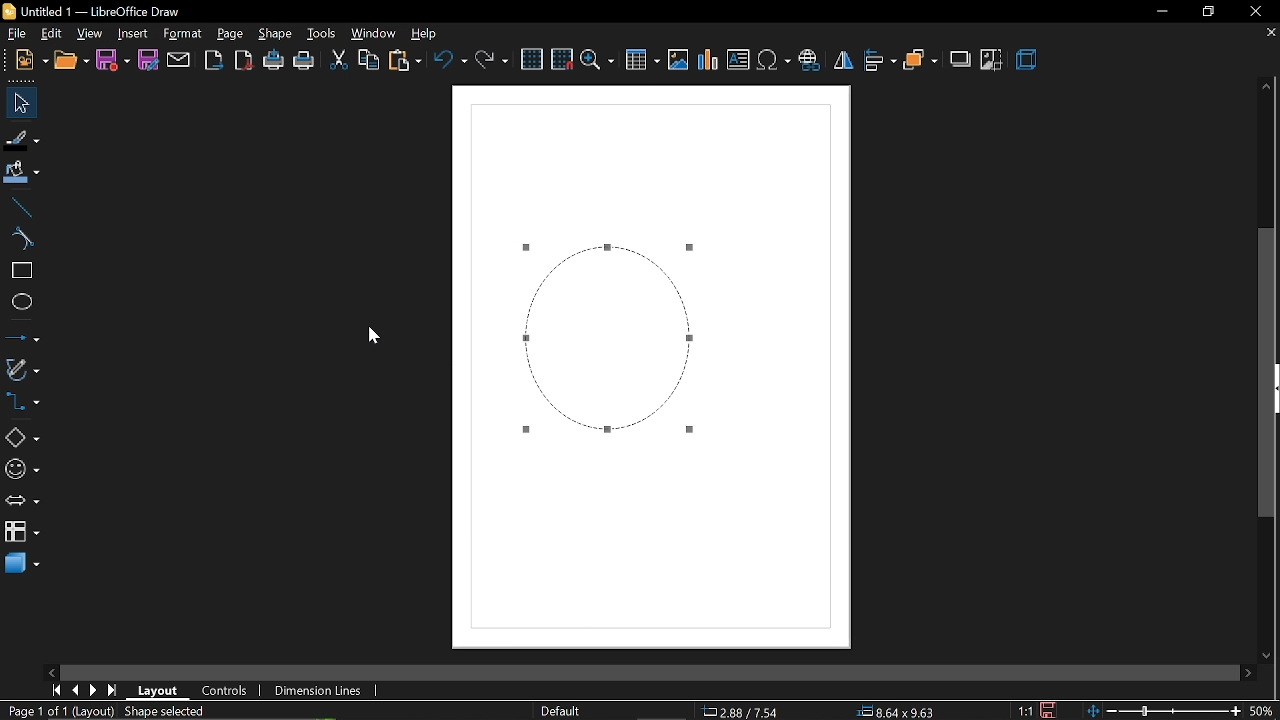 The height and width of the screenshot is (720, 1280). Describe the element at coordinates (57, 691) in the screenshot. I see `go to first page` at that location.